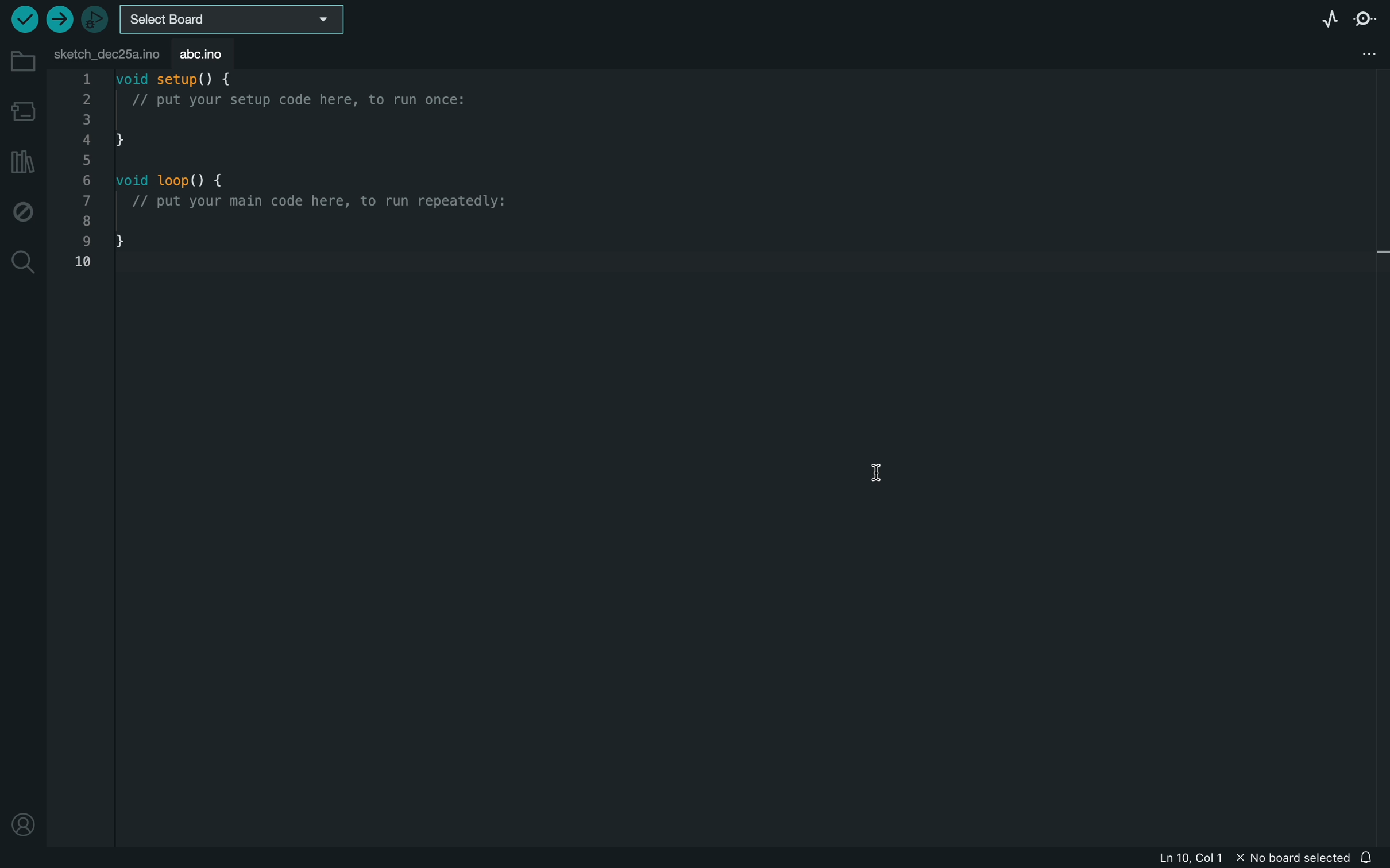 This screenshot has width=1390, height=868. I want to click on debugger, so click(96, 20).